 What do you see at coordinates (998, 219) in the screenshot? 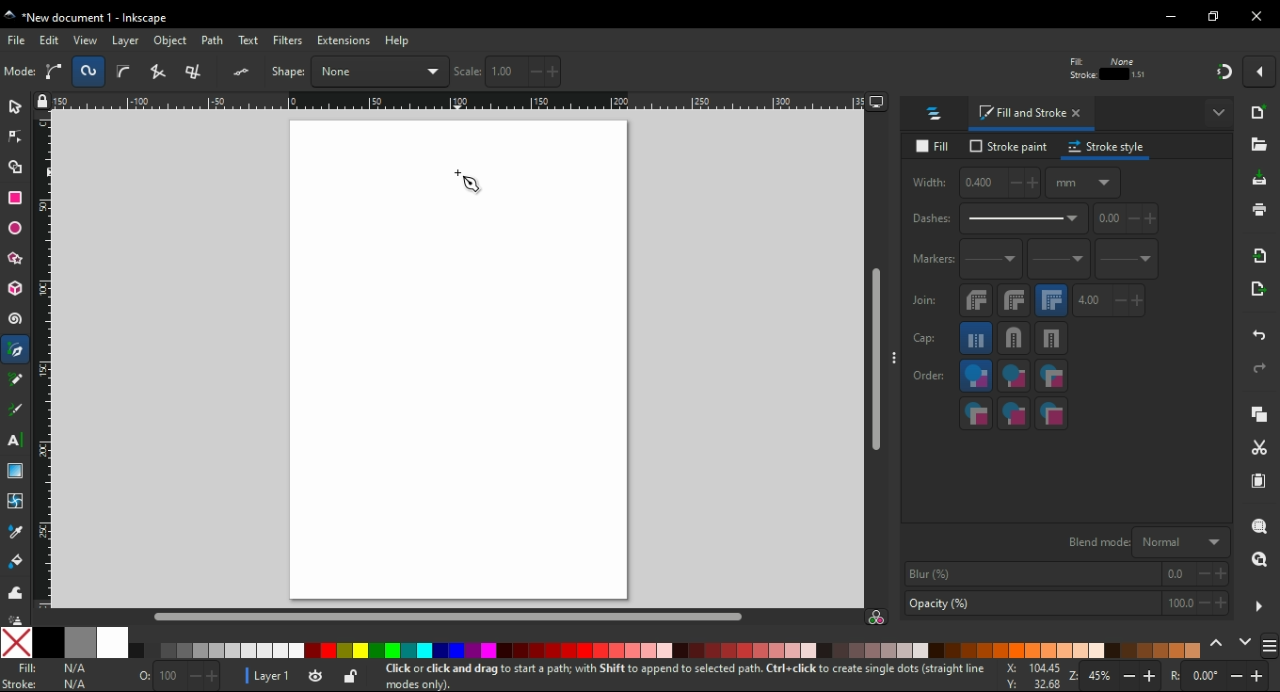
I see `dashes` at bounding box center [998, 219].